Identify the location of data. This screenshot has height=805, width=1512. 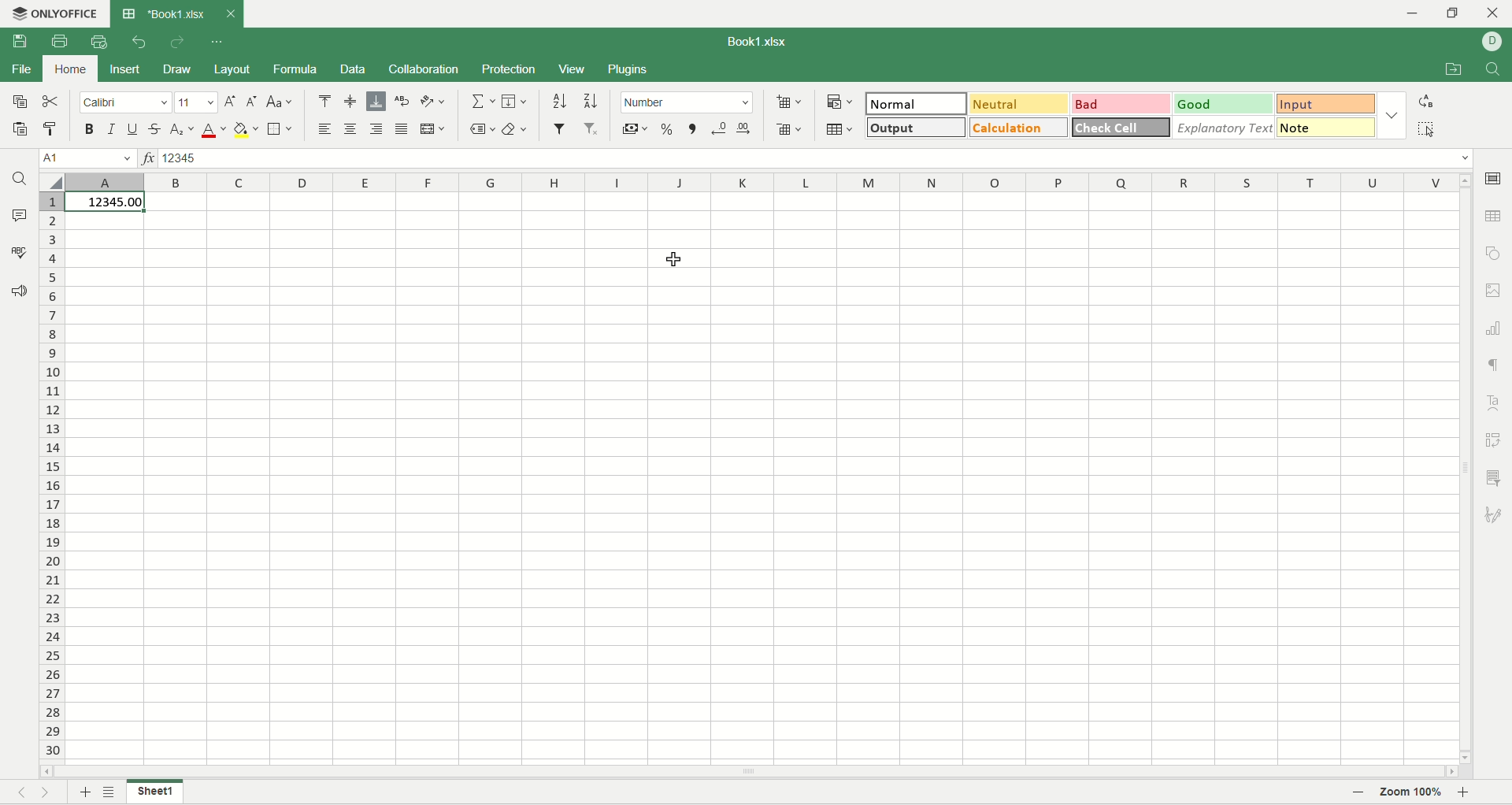
(353, 70).